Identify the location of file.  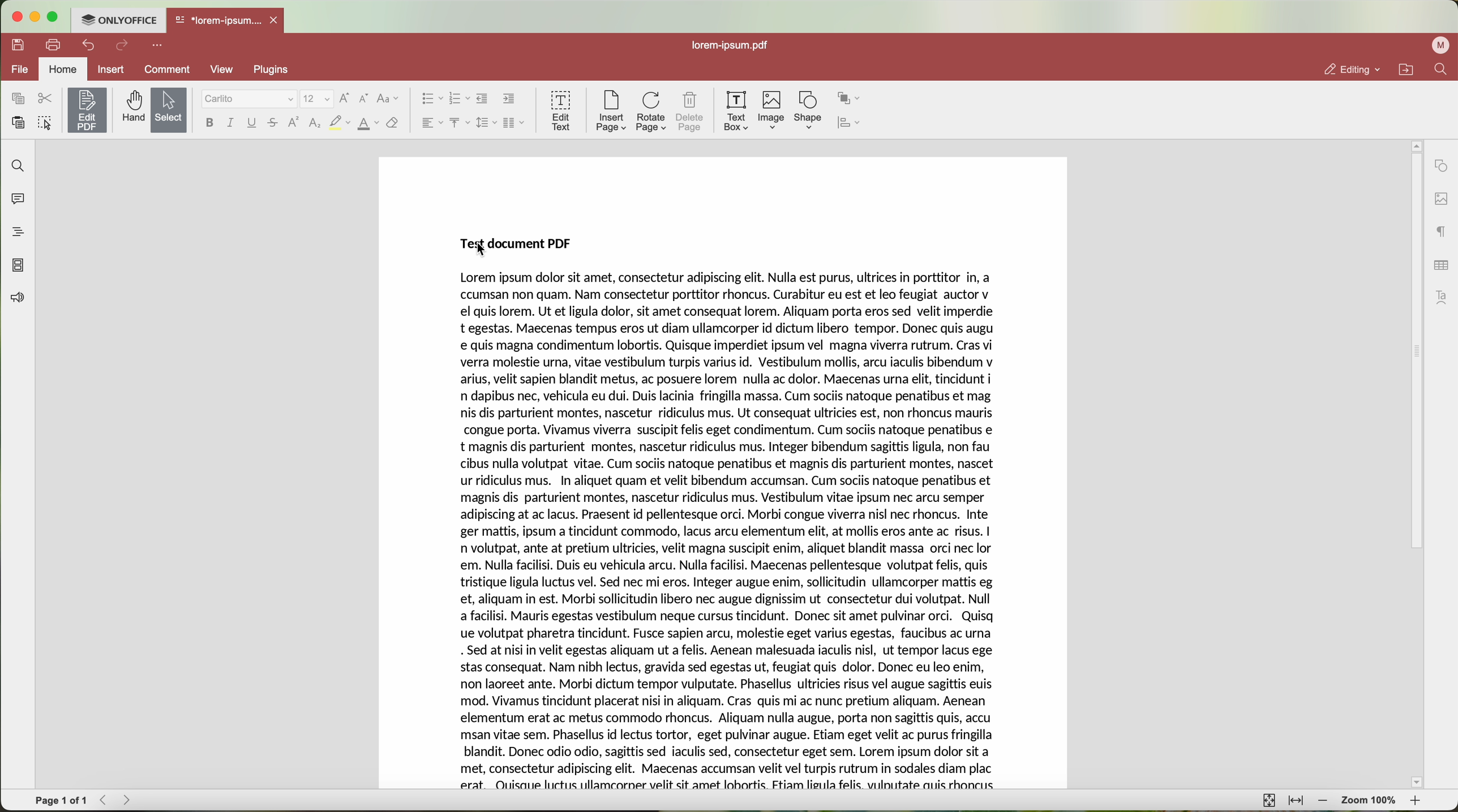
(21, 70).